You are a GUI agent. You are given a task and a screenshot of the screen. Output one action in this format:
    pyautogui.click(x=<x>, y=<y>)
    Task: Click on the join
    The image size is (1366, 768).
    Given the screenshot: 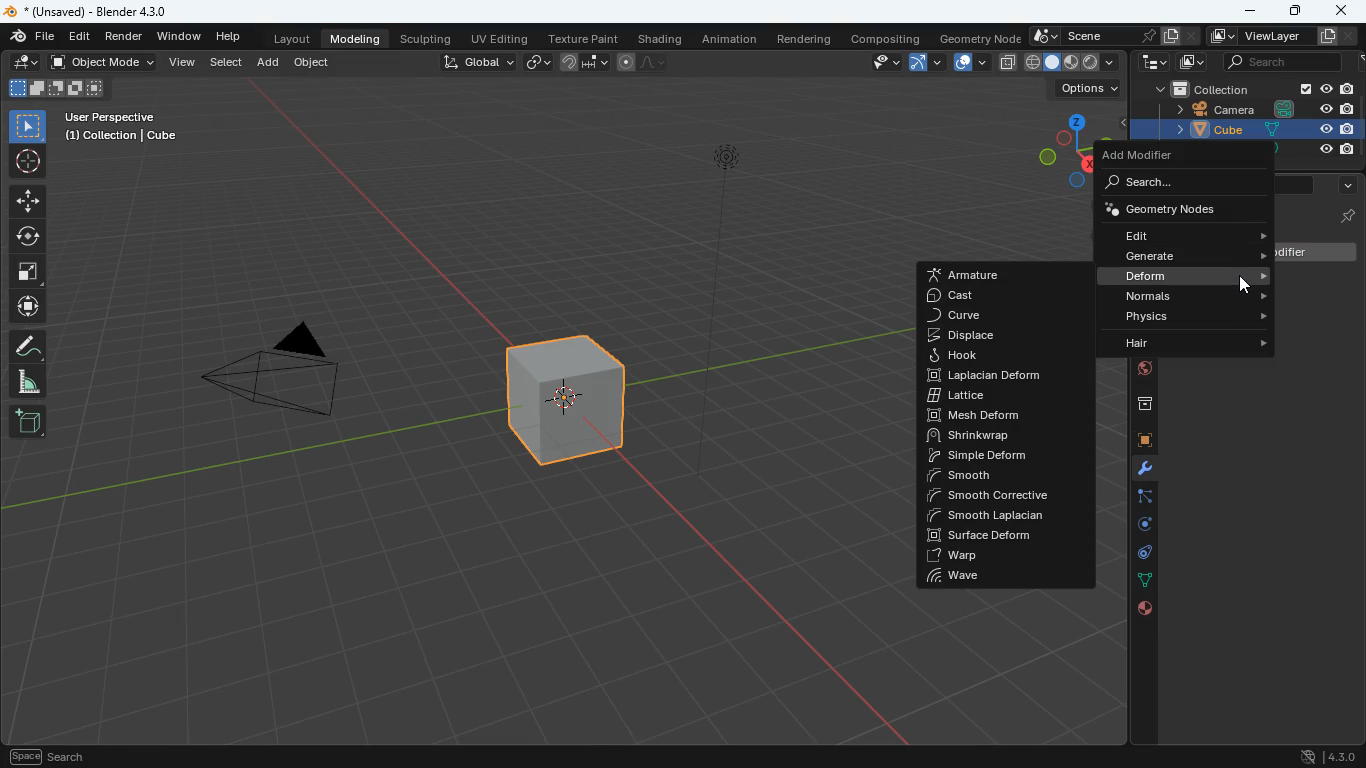 What is the action you would take?
    pyautogui.click(x=585, y=61)
    